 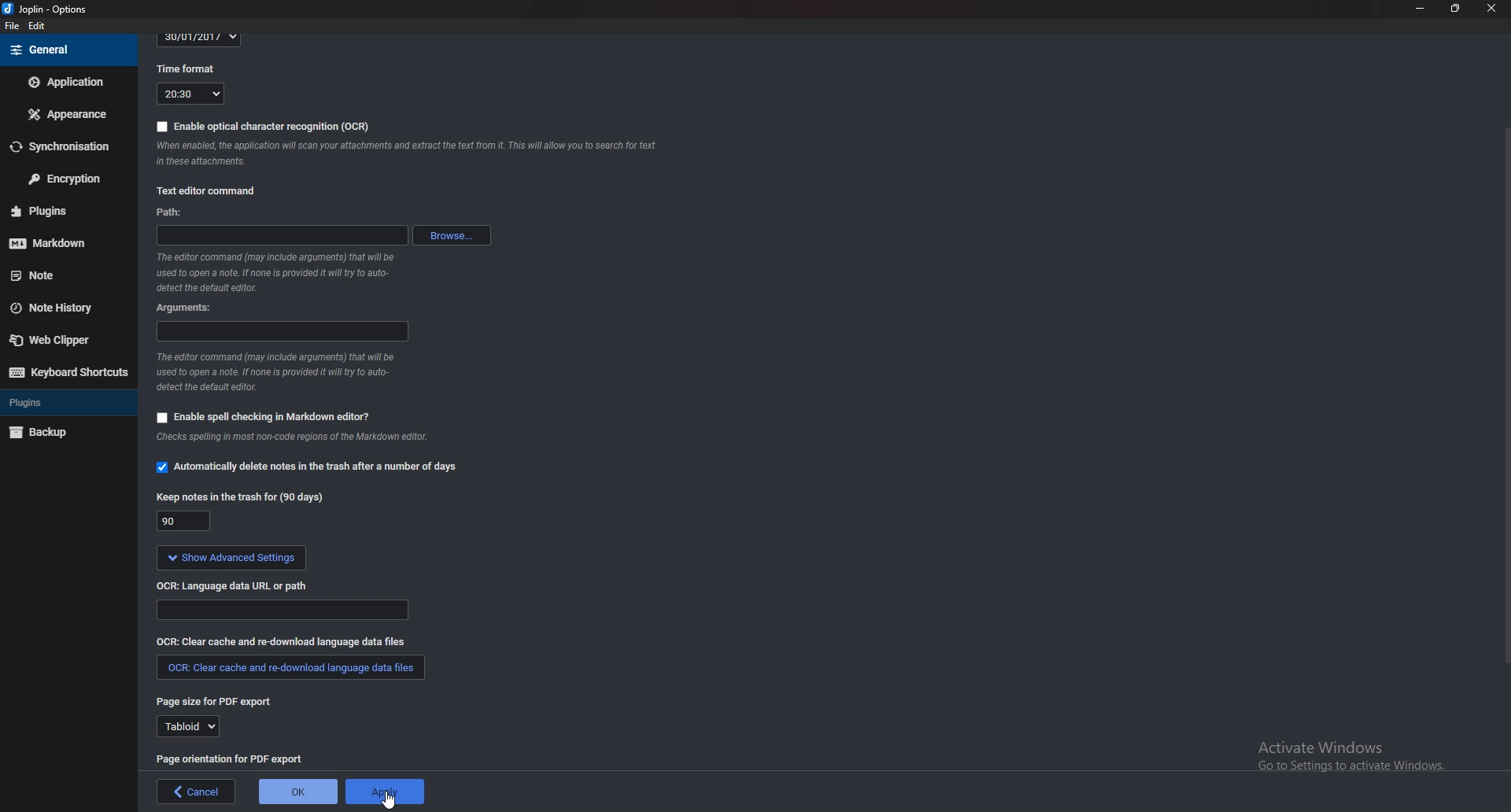 I want to click on scroll bar, so click(x=1505, y=394).